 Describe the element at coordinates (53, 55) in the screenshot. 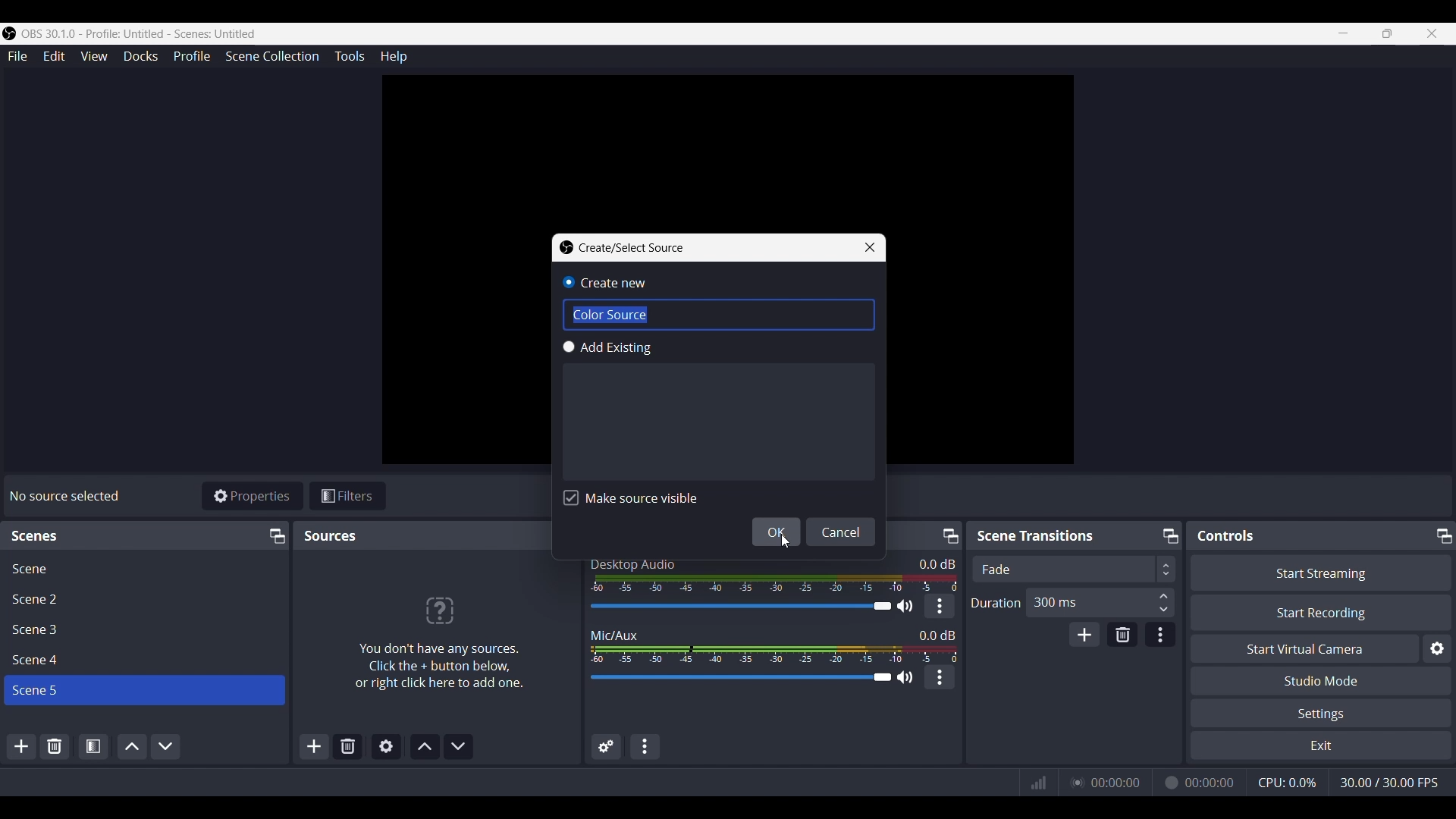

I see `Edit` at that location.